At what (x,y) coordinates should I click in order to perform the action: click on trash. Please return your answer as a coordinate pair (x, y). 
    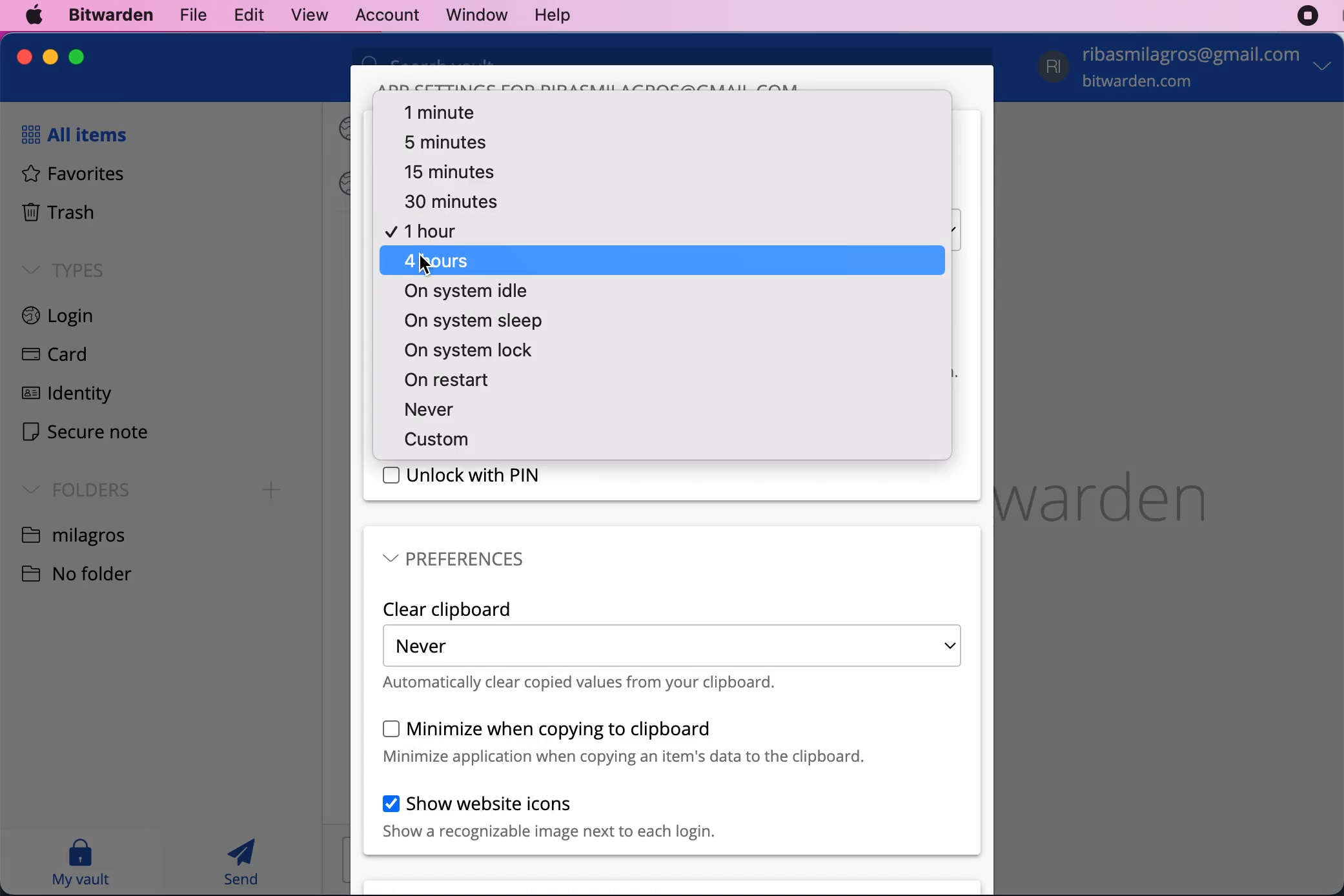
    Looking at the image, I should click on (57, 214).